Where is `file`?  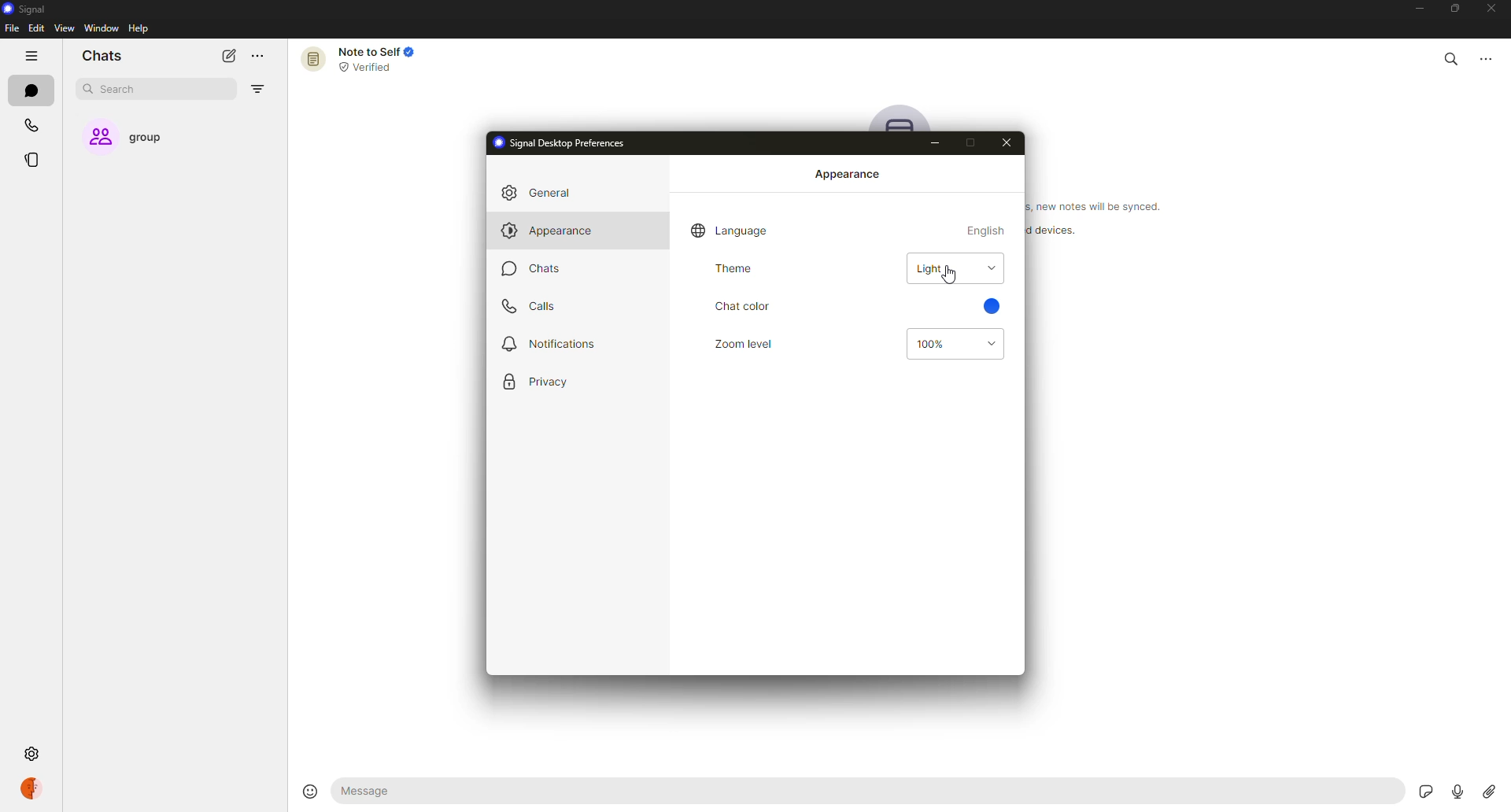
file is located at coordinates (11, 29).